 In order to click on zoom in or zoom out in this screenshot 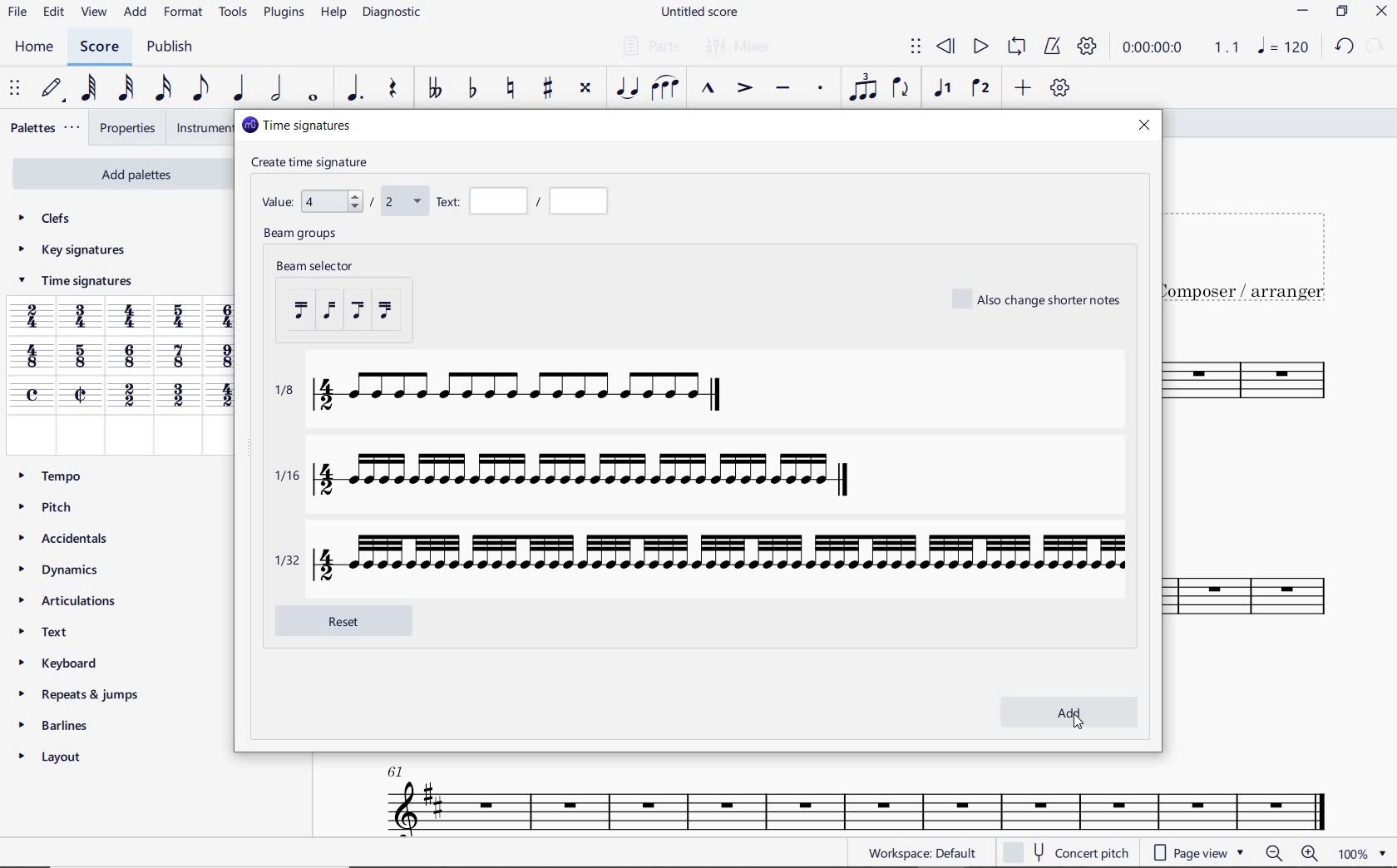, I will do `click(1291, 854)`.